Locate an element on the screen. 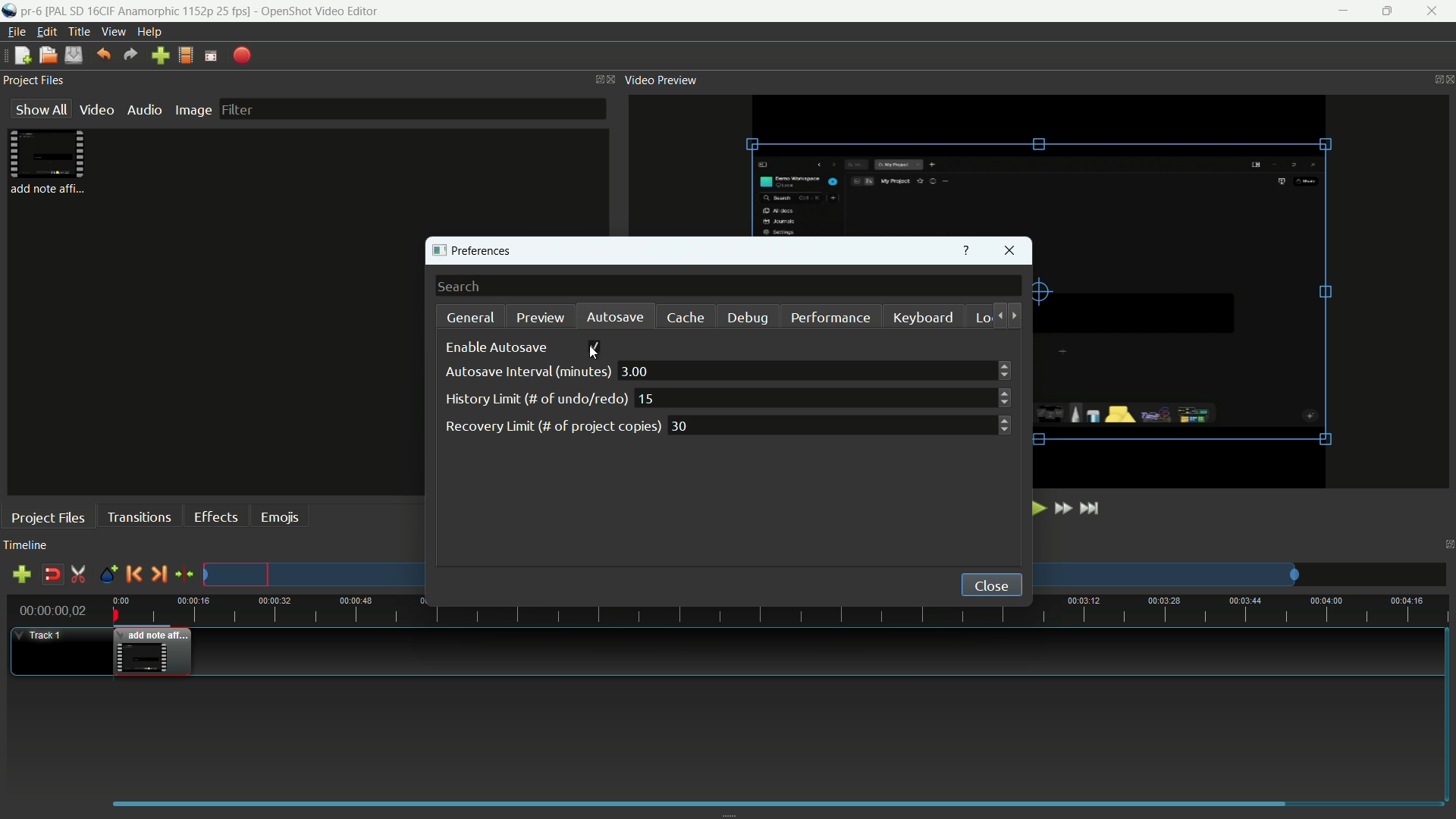 The width and height of the screenshot is (1456, 819). get help is located at coordinates (968, 250).